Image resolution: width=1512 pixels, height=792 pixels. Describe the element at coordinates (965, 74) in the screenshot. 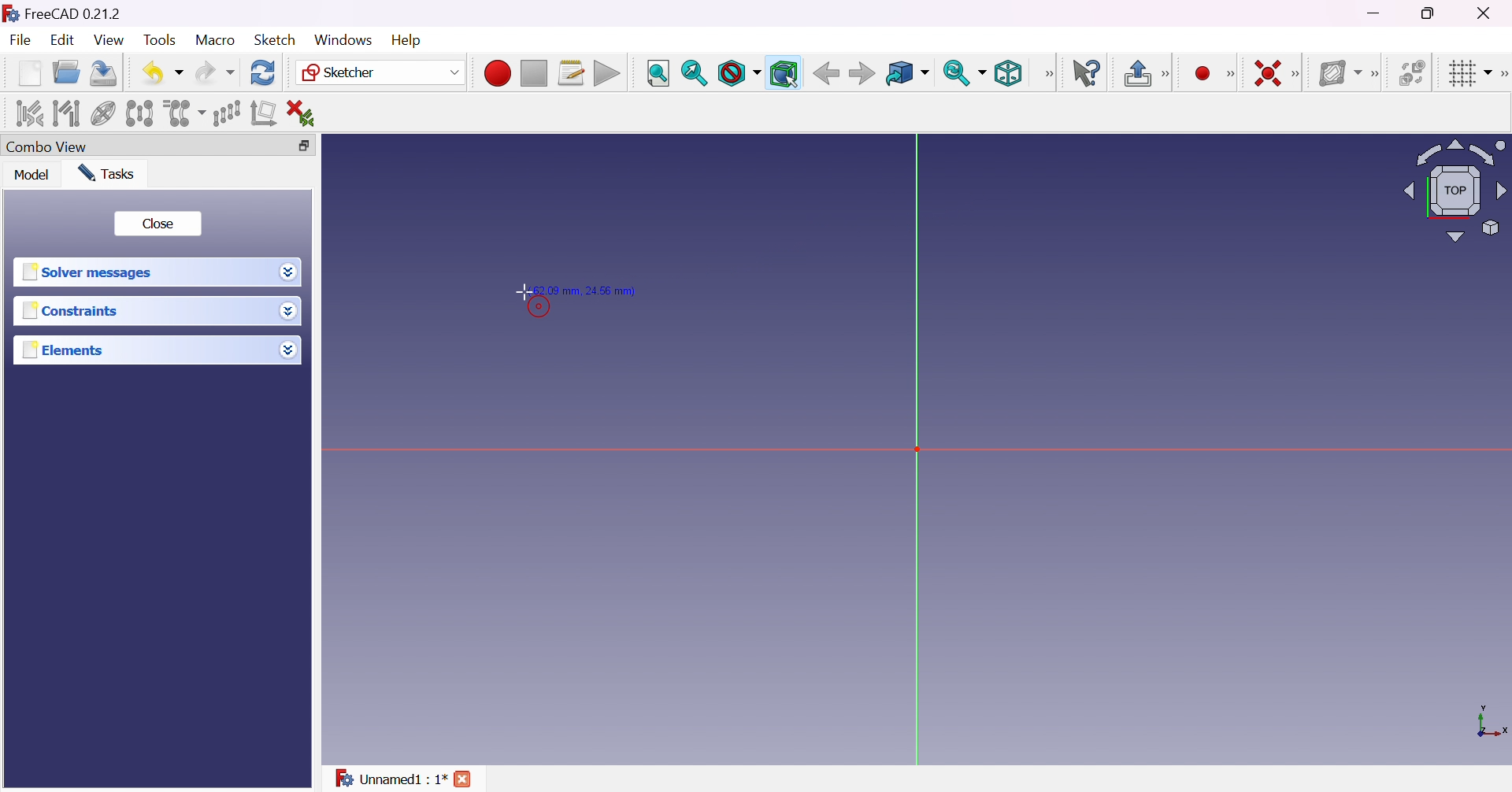

I see `` at that location.